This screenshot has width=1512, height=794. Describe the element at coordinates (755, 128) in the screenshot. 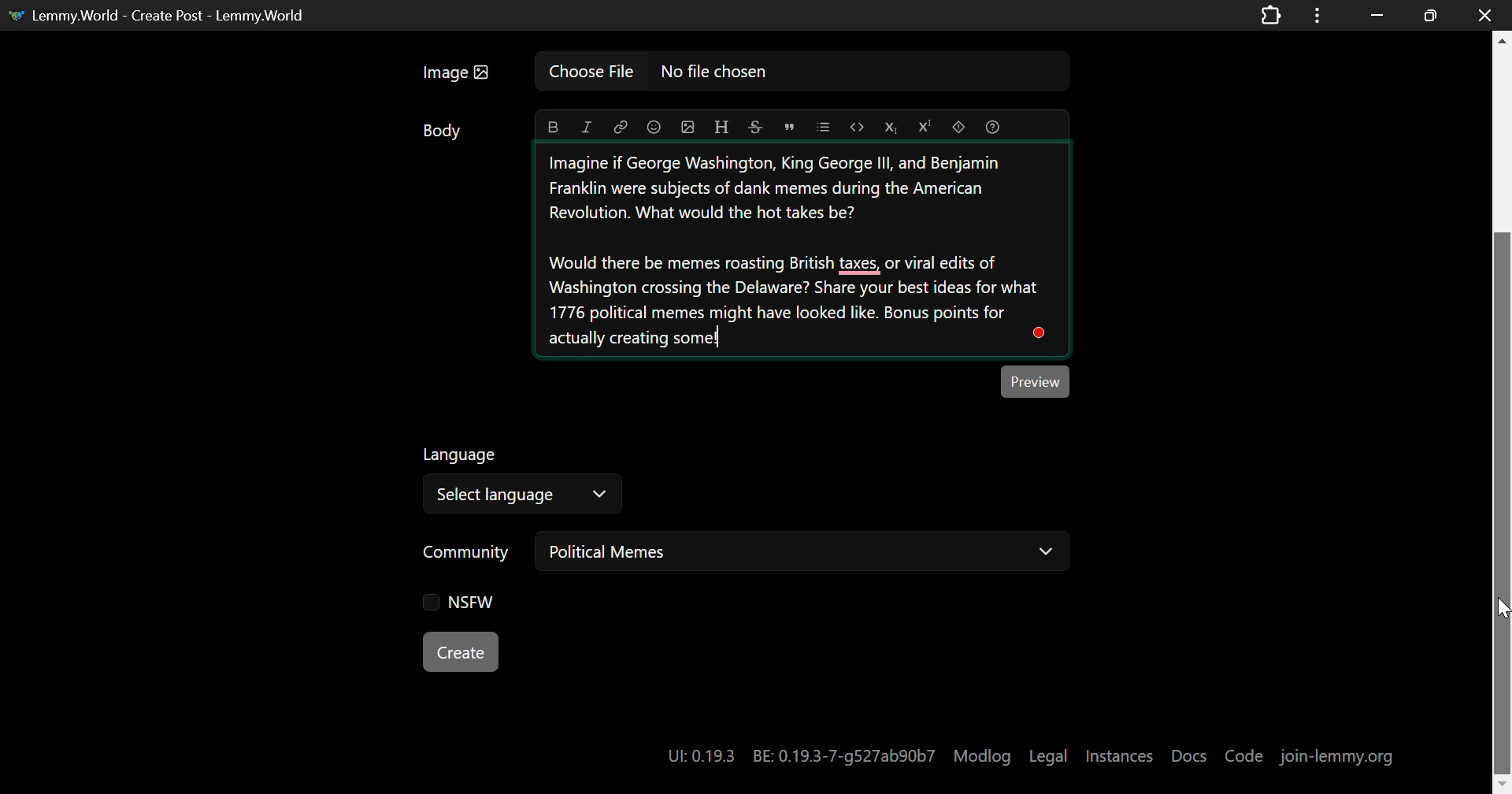

I see `Strikethrough` at that location.